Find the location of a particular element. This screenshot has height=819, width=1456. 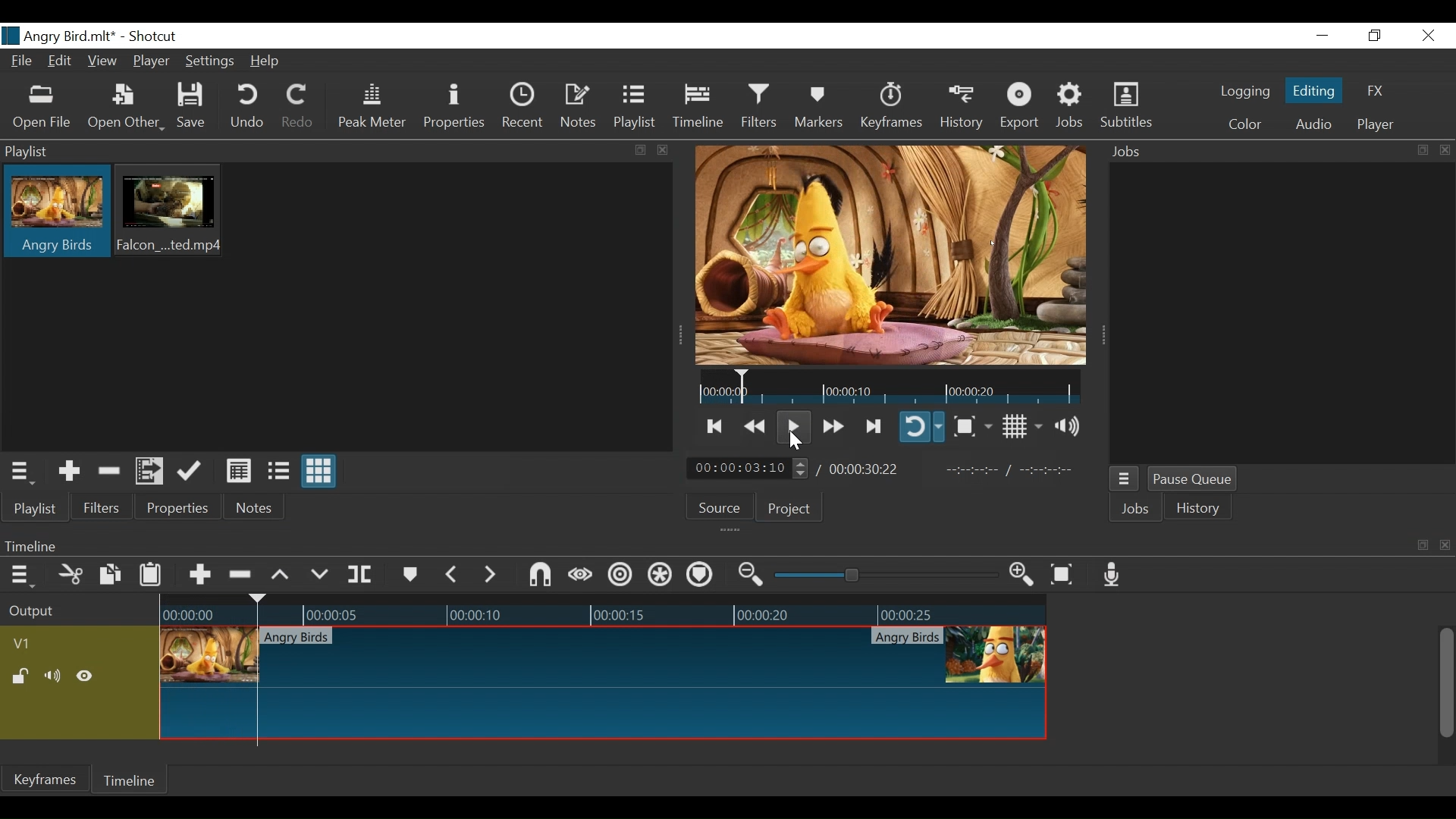

Remove cut is located at coordinates (110, 471).